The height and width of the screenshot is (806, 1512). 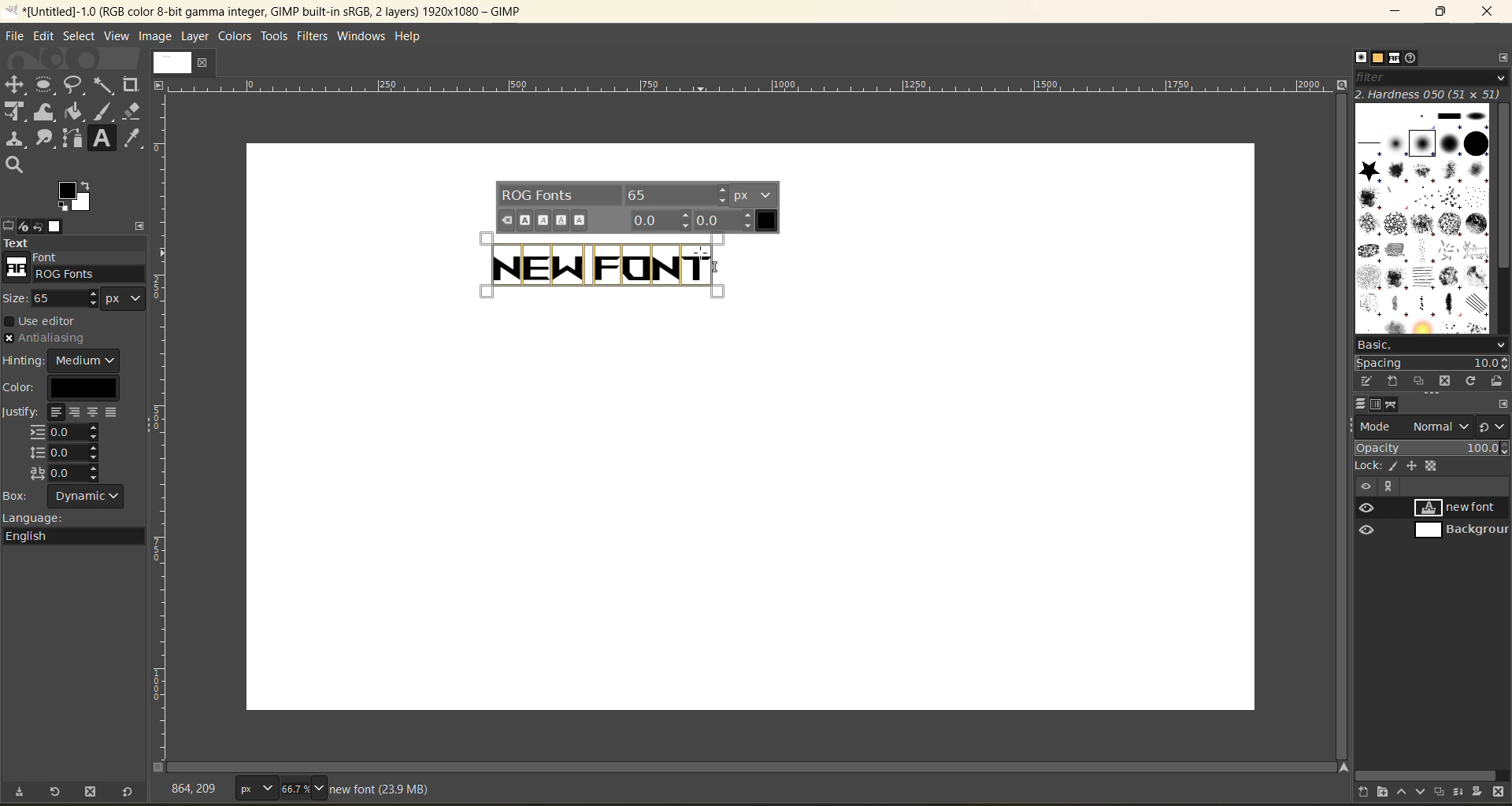 What do you see at coordinates (581, 264) in the screenshot?
I see `text` at bounding box center [581, 264].